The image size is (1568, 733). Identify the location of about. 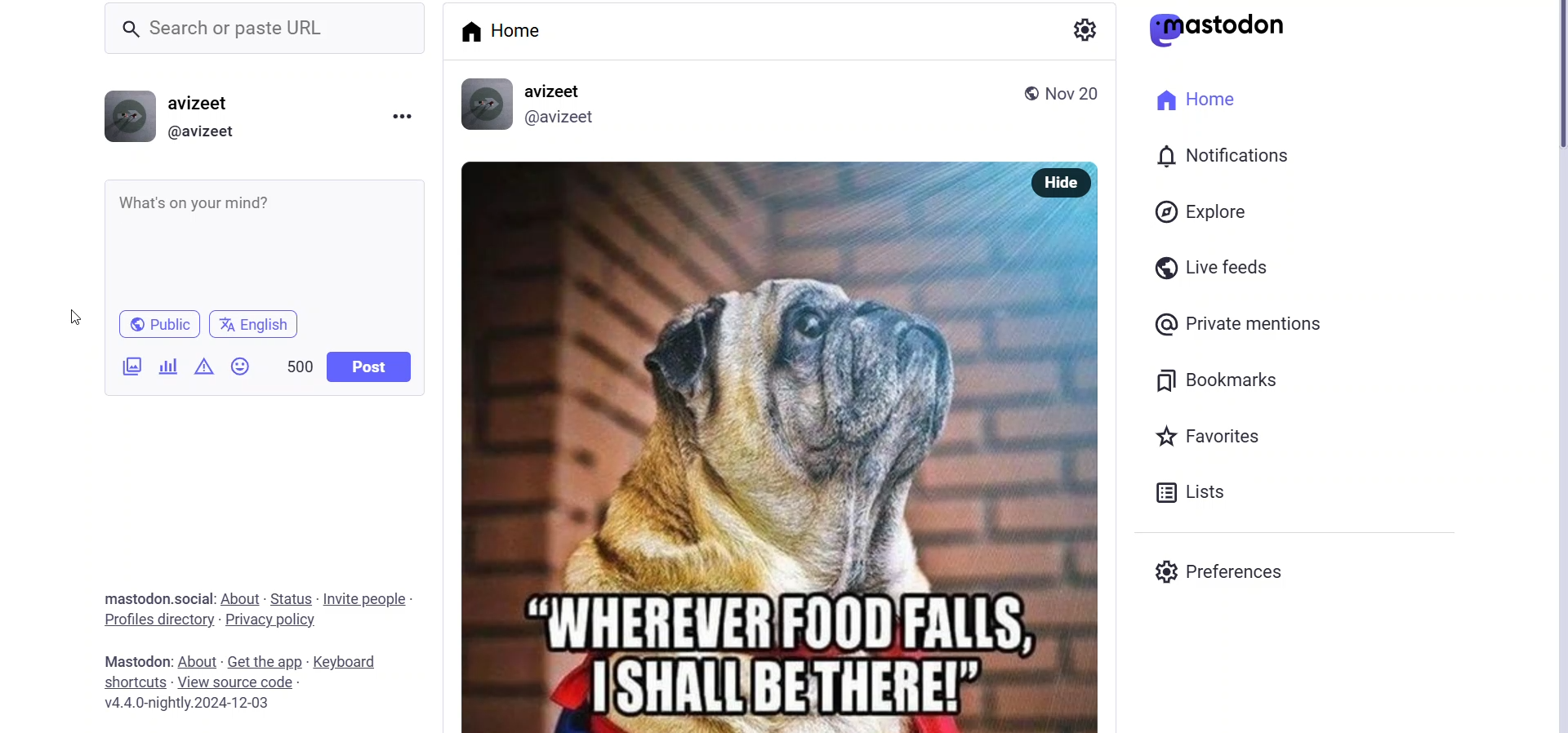
(198, 660).